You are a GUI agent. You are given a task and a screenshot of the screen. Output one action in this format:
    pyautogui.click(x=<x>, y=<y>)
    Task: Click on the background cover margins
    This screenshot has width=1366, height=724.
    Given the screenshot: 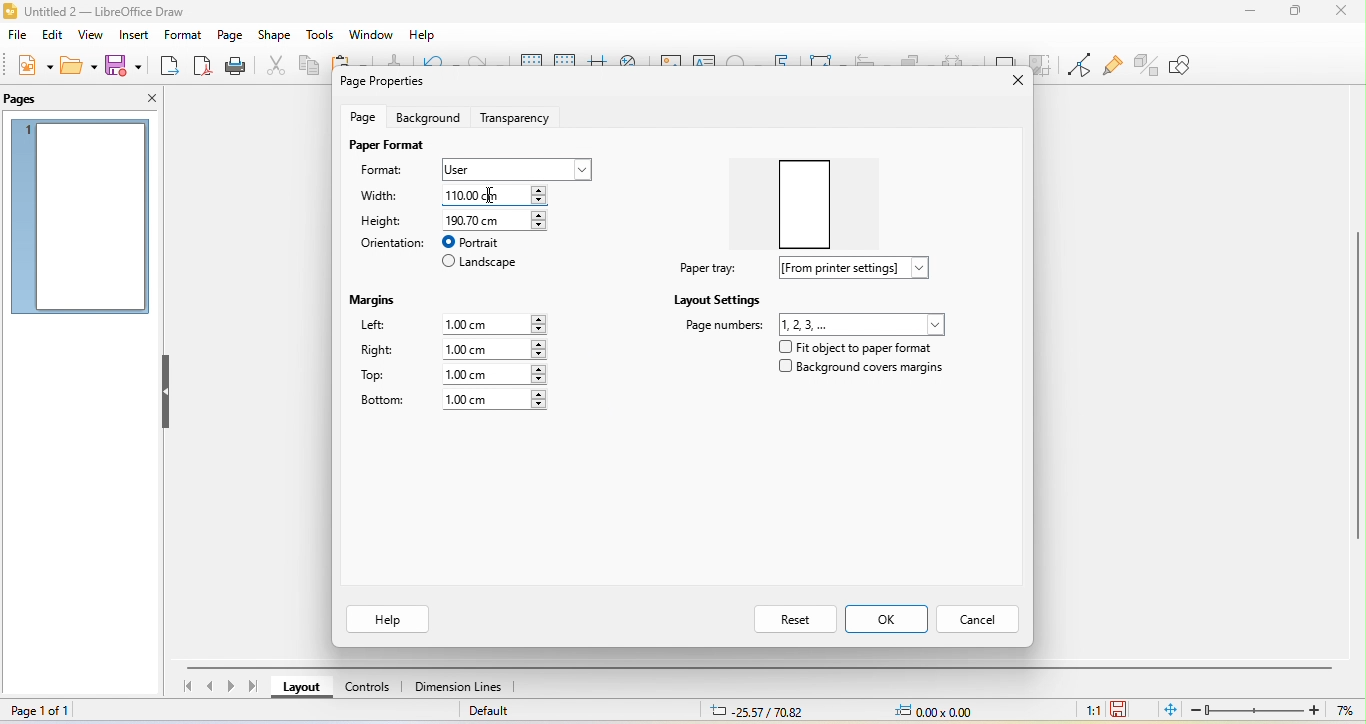 What is the action you would take?
    pyautogui.click(x=862, y=371)
    